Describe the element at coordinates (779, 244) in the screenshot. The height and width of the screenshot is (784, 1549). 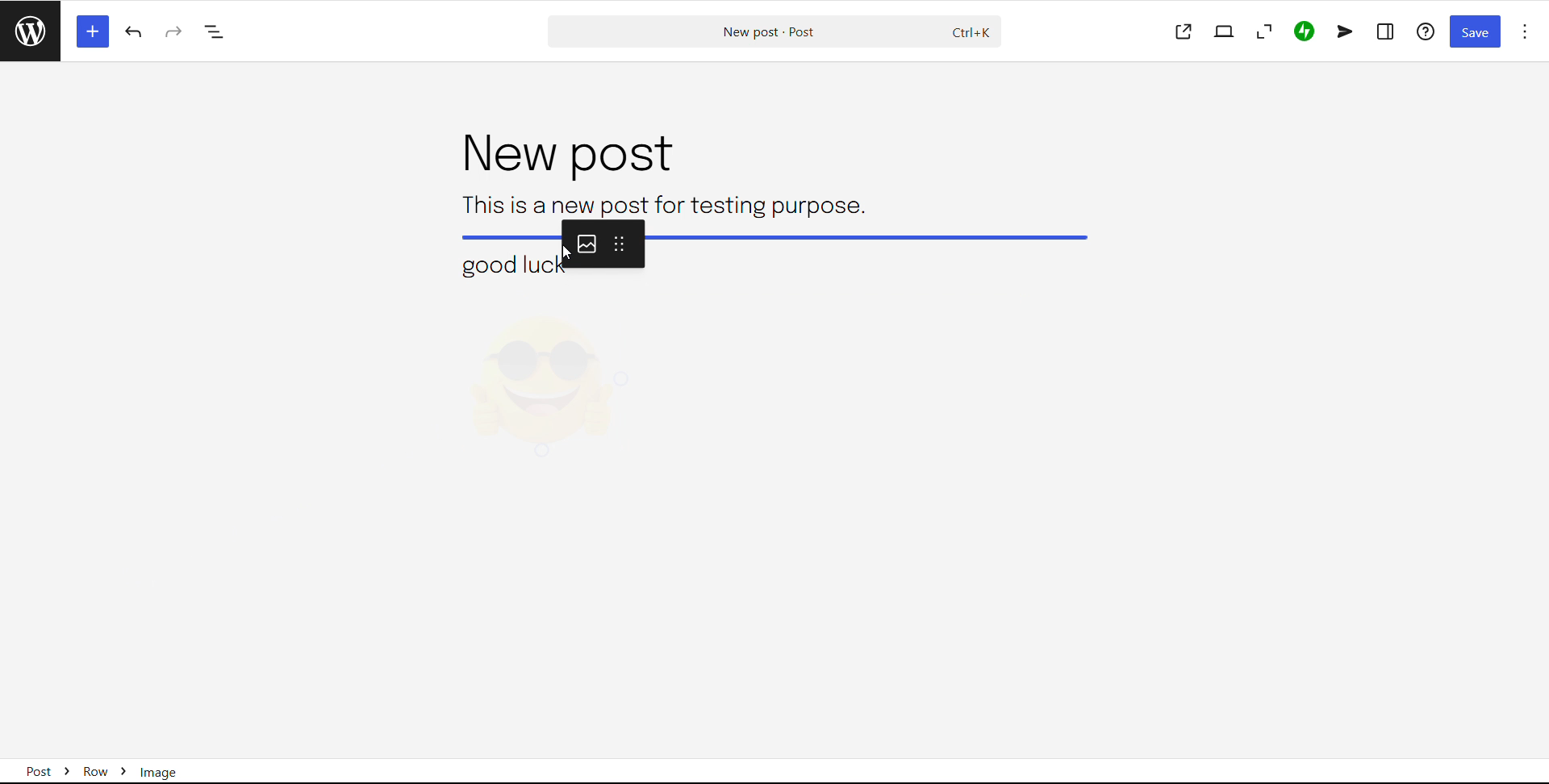
I see `image dragging` at that location.